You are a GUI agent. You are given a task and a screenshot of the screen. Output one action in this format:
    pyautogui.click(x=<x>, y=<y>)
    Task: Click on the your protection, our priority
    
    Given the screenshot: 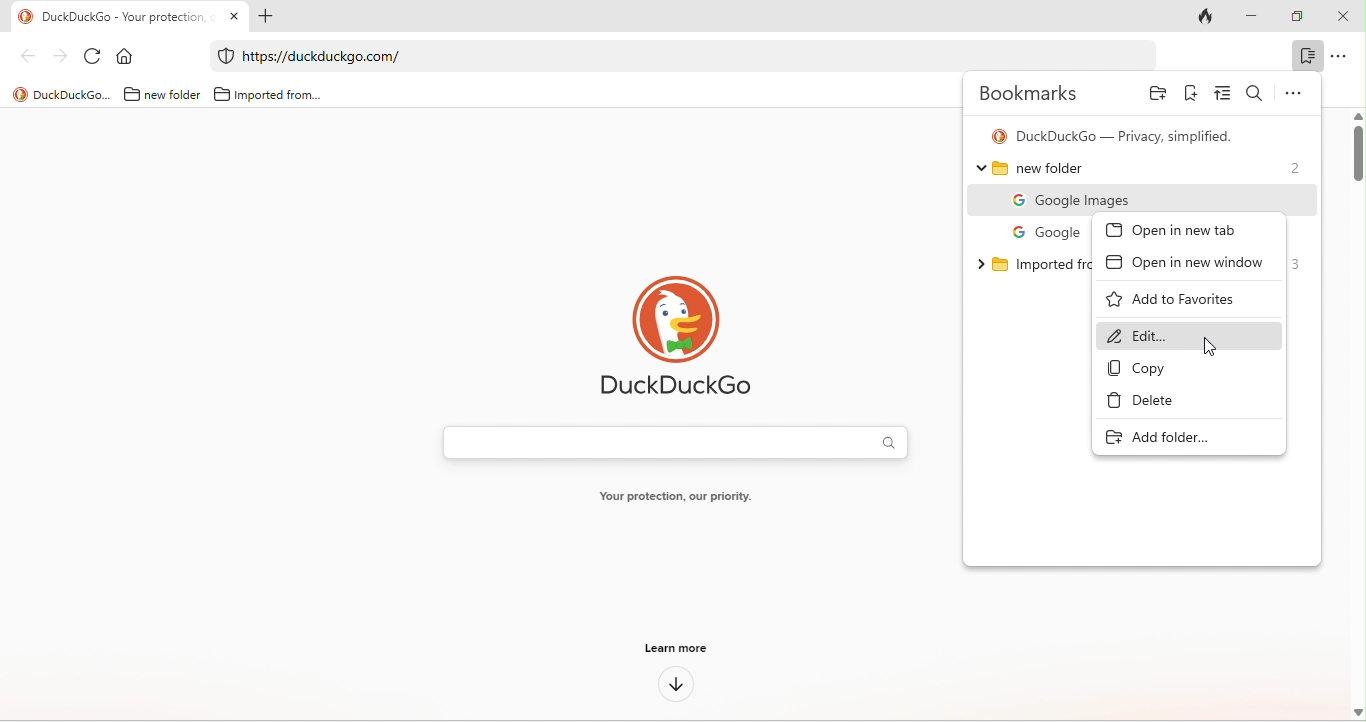 What is the action you would take?
    pyautogui.click(x=674, y=498)
    